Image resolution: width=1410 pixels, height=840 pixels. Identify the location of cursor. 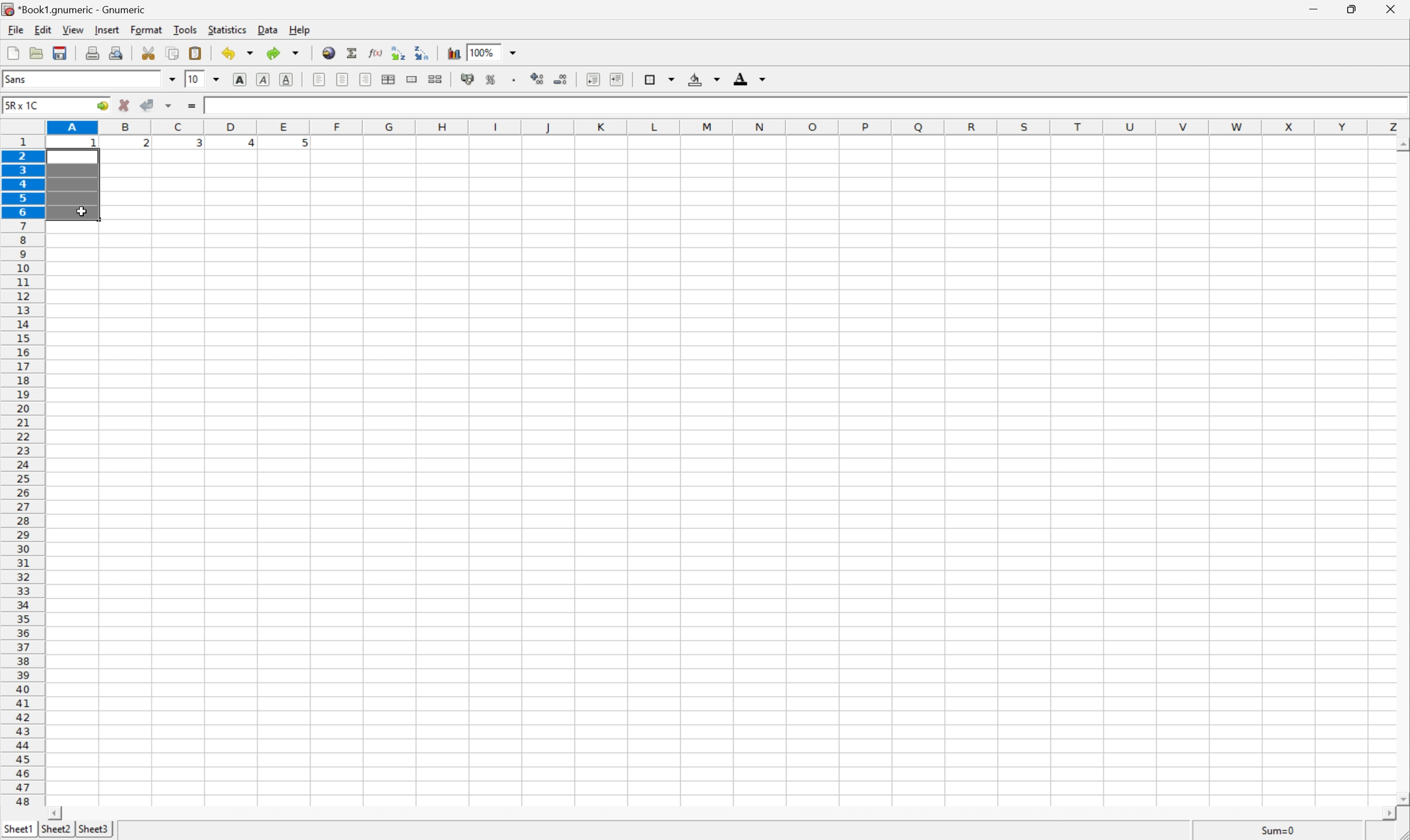
(82, 213).